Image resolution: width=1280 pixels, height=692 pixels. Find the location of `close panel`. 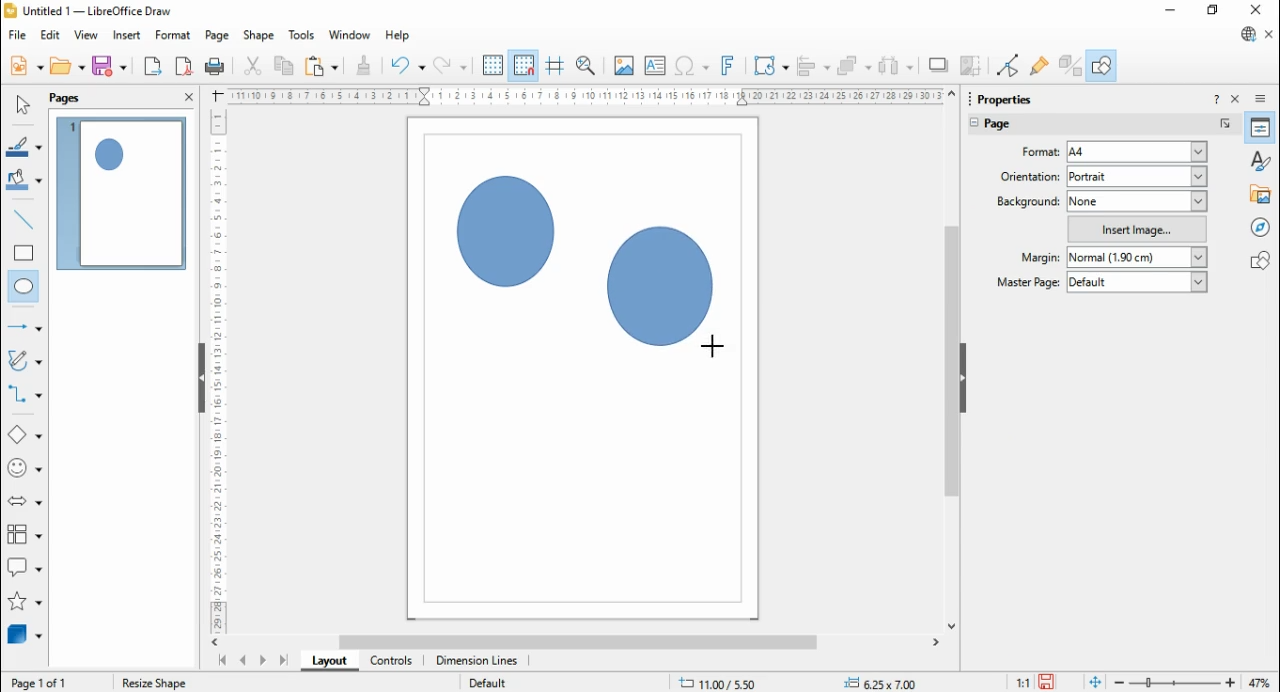

close panel is located at coordinates (189, 96).